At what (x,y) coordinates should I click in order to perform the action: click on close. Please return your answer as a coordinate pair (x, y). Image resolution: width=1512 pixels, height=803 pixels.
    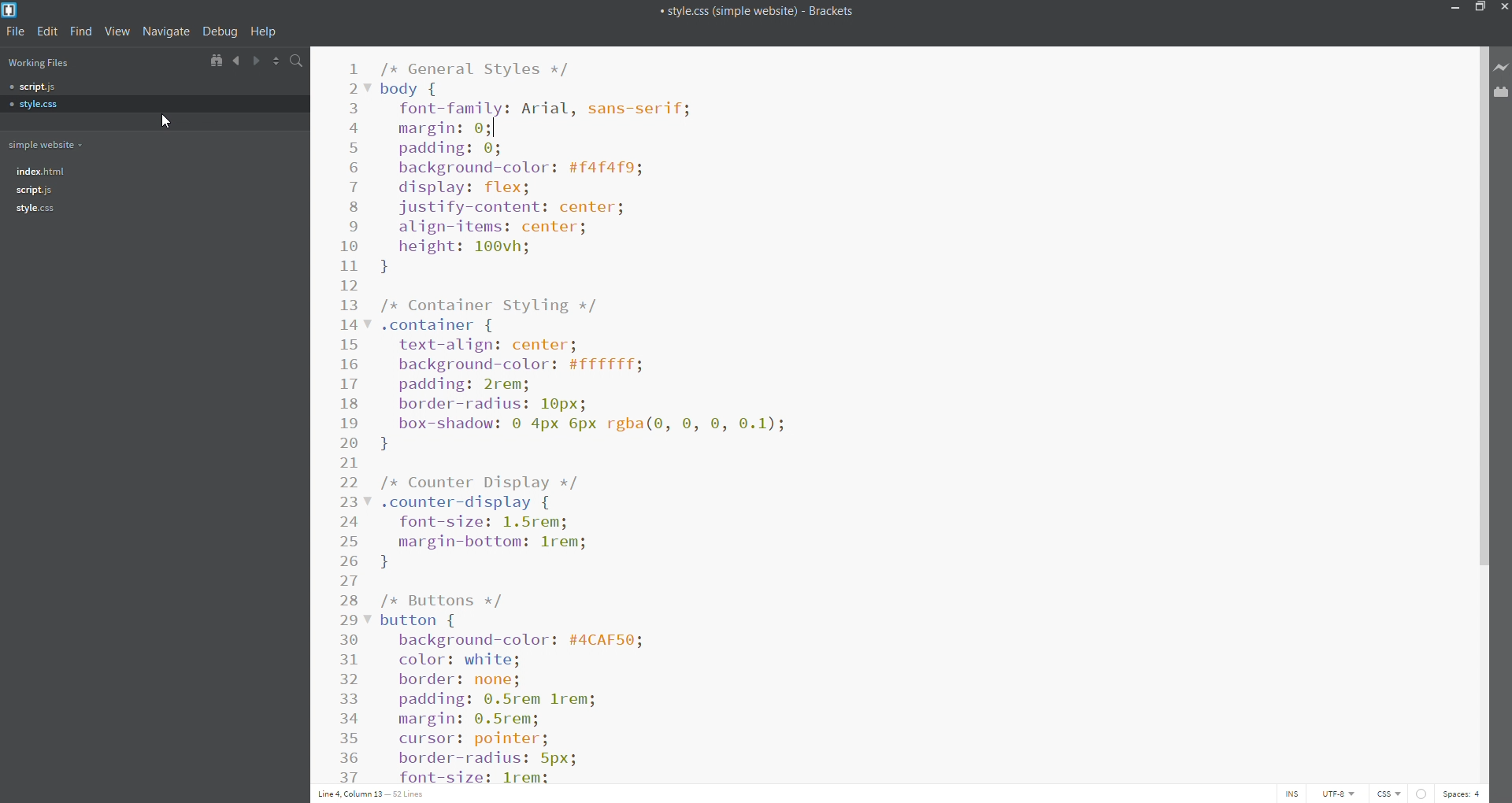
    Looking at the image, I should click on (1503, 9).